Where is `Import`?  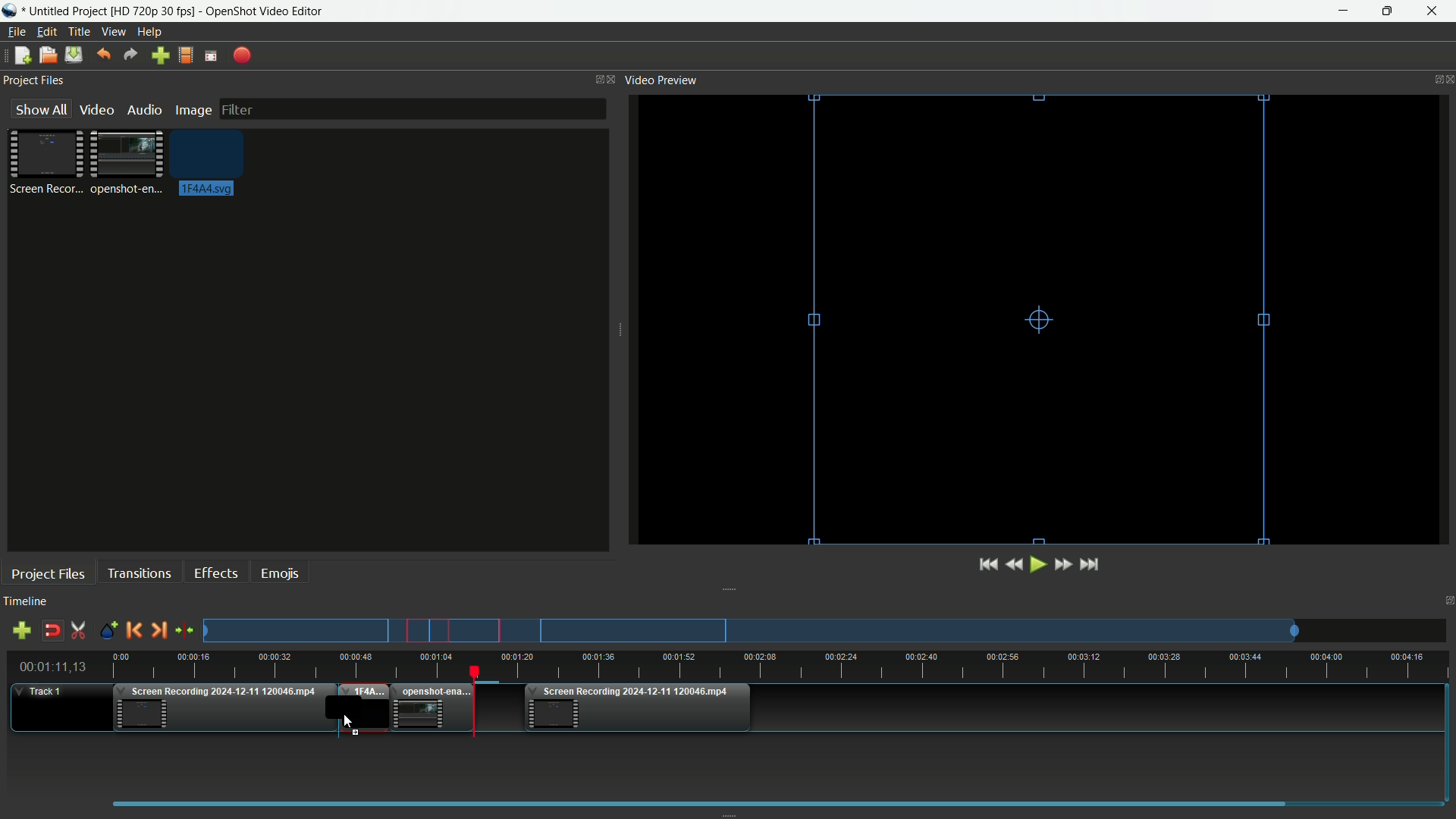 Import is located at coordinates (162, 57).